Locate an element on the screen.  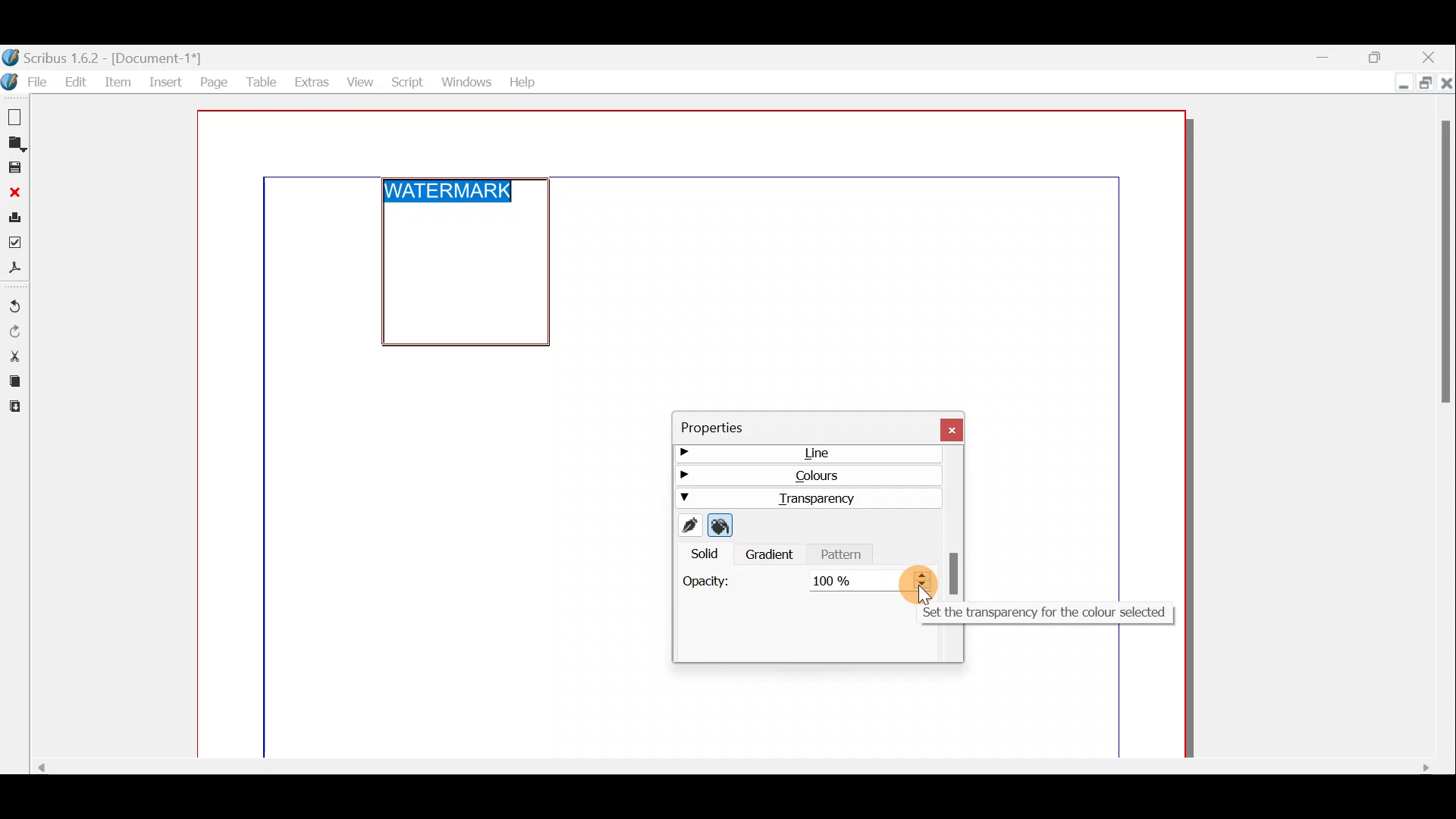
Solid is located at coordinates (699, 555).